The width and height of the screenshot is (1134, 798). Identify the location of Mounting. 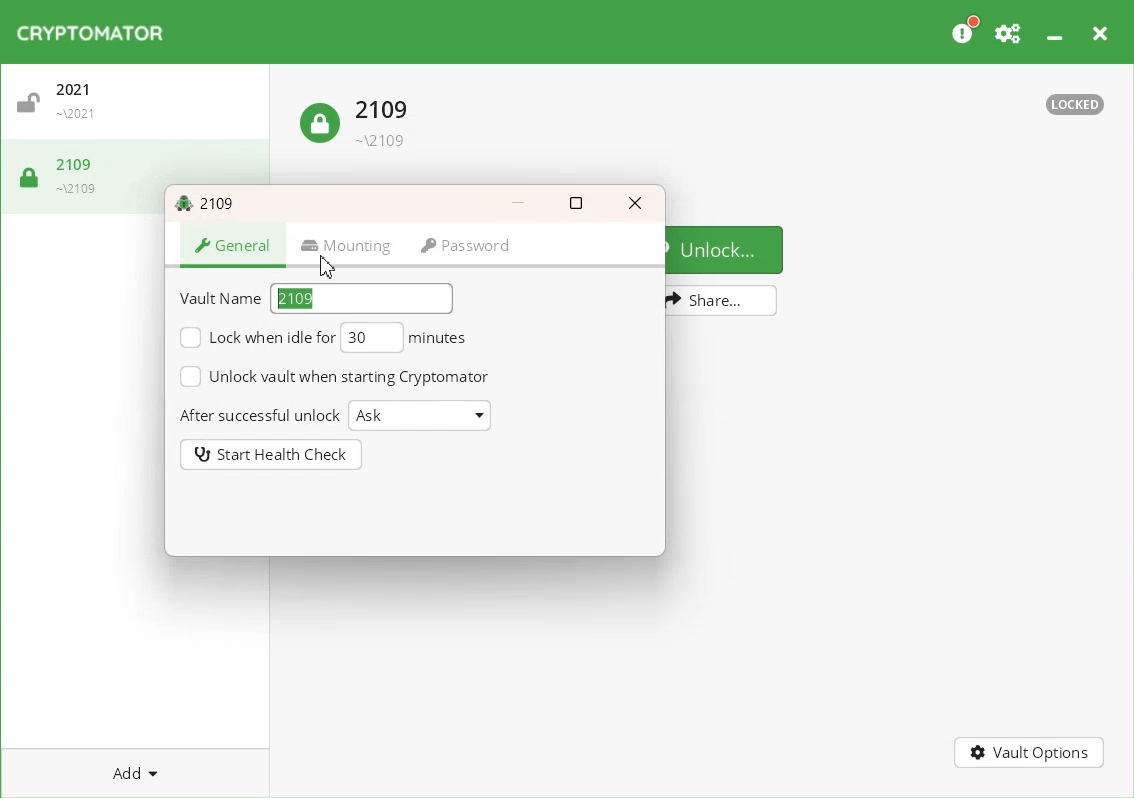
(344, 246).